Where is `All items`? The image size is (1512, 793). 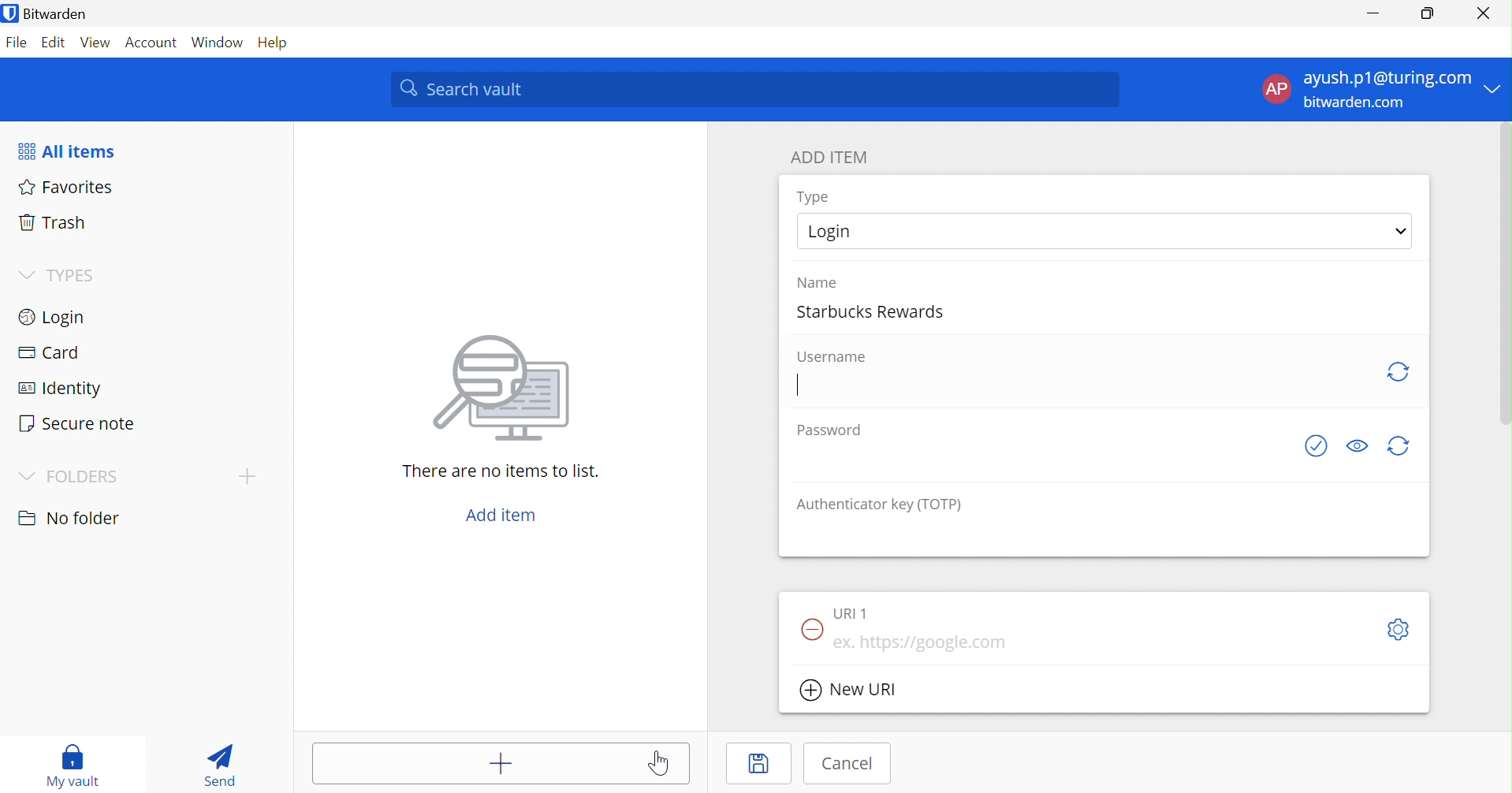 All items is located at coordinates (65, 152).